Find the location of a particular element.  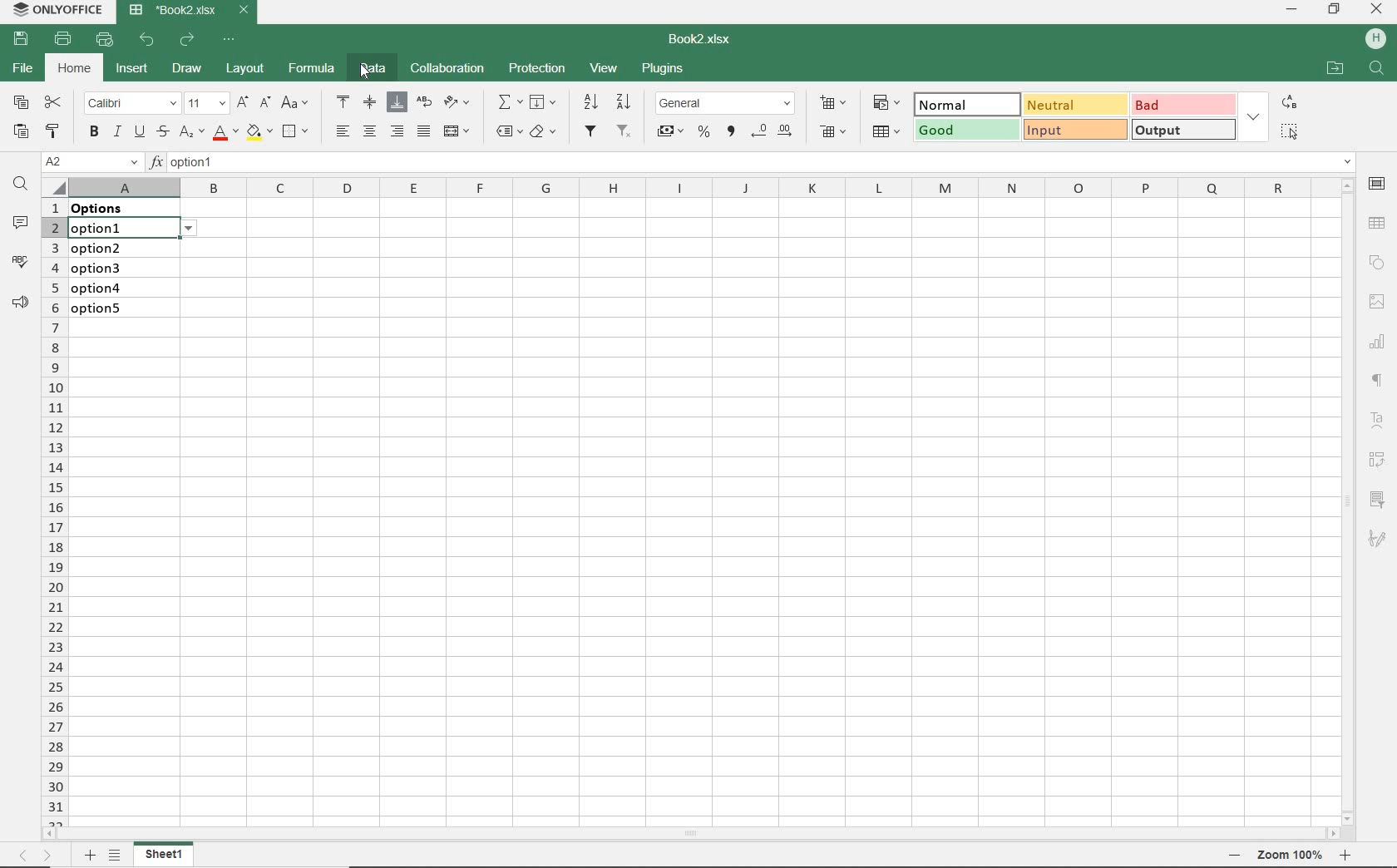

Select all is located at coordinates (54, 185).